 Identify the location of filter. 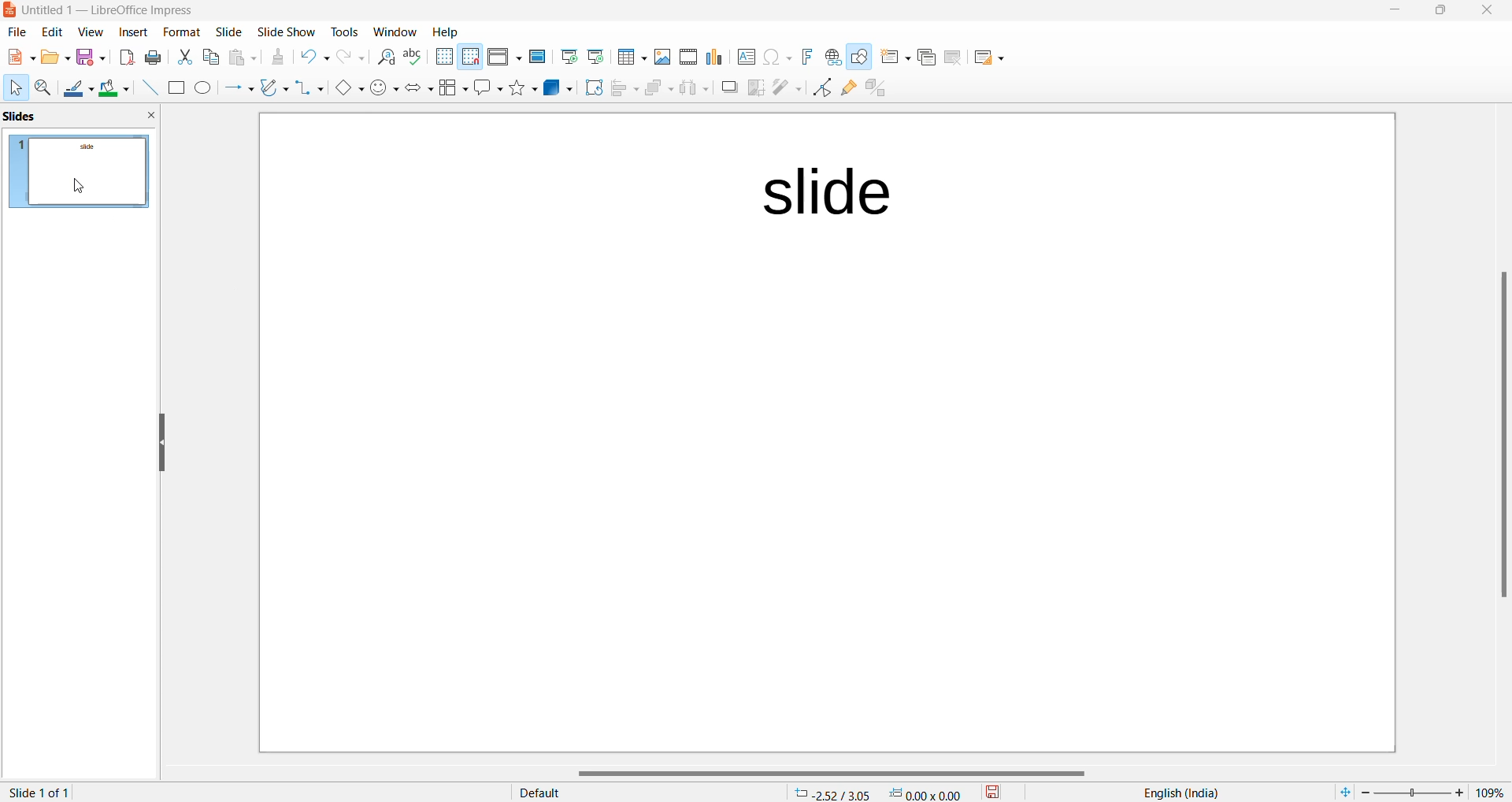
(787, 86).